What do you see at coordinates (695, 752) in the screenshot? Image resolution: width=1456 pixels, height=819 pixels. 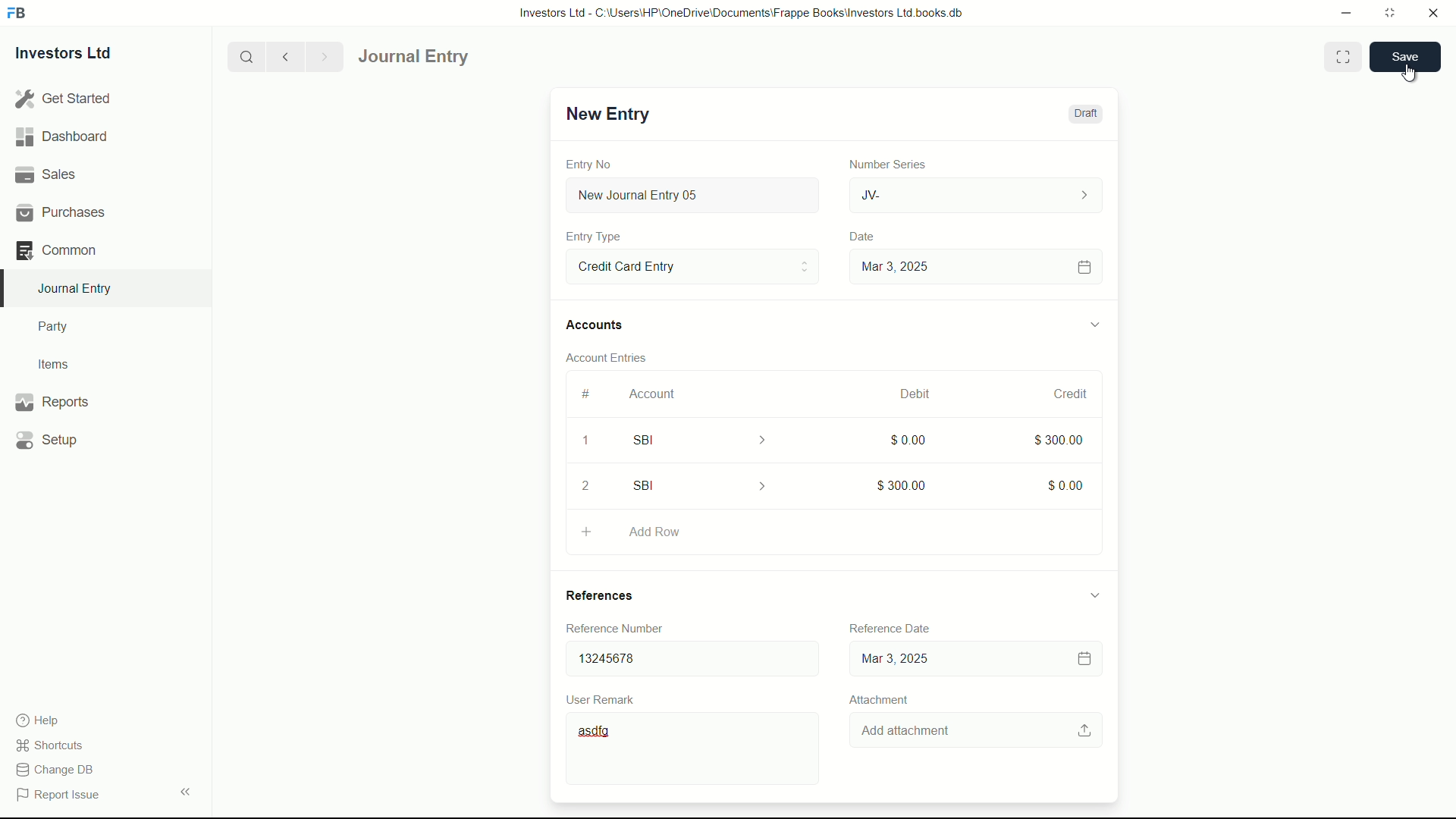 I see `asdfg` at bounding box center [695, 752].